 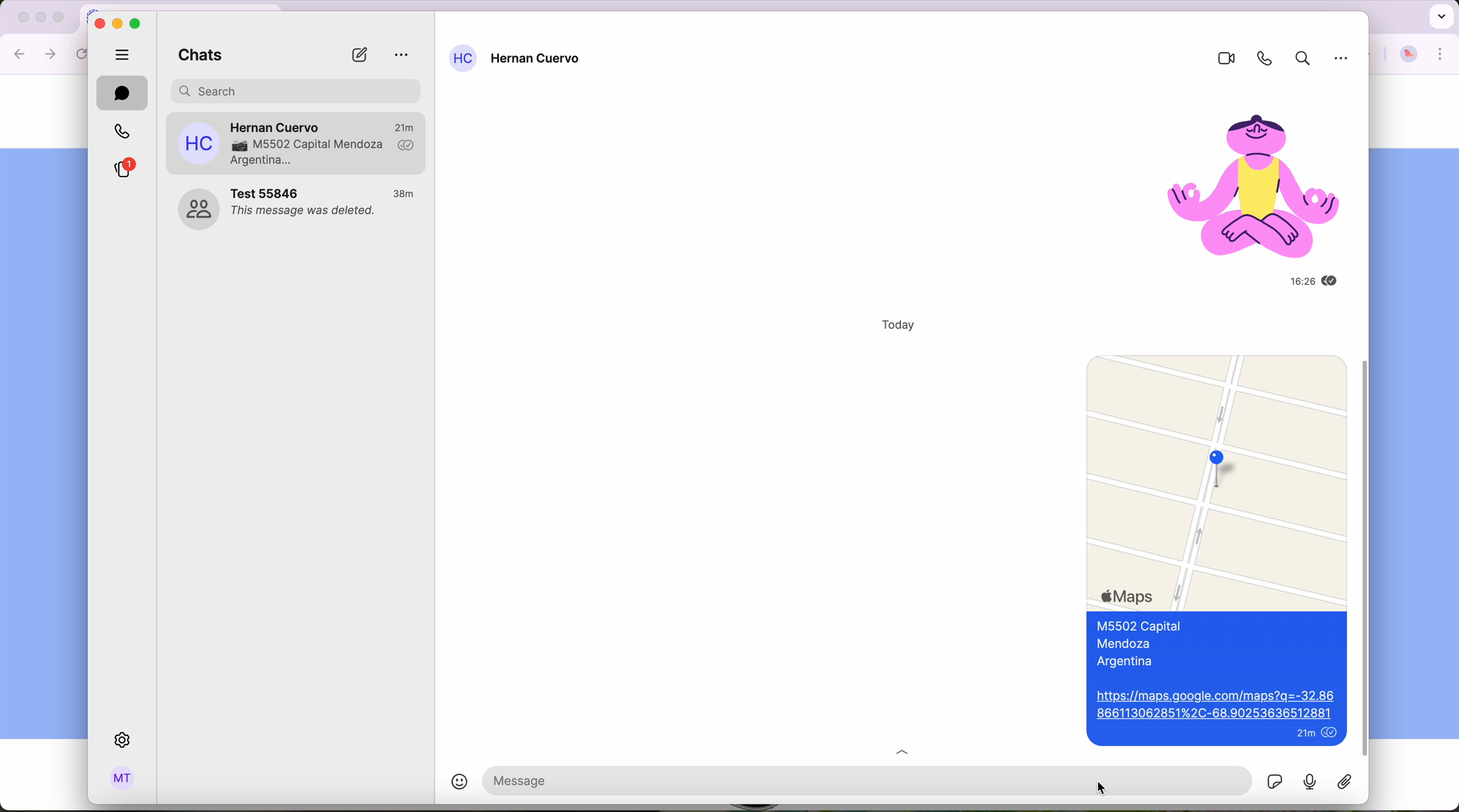 I want to click on 00
ca, so click(x=198, y=210).